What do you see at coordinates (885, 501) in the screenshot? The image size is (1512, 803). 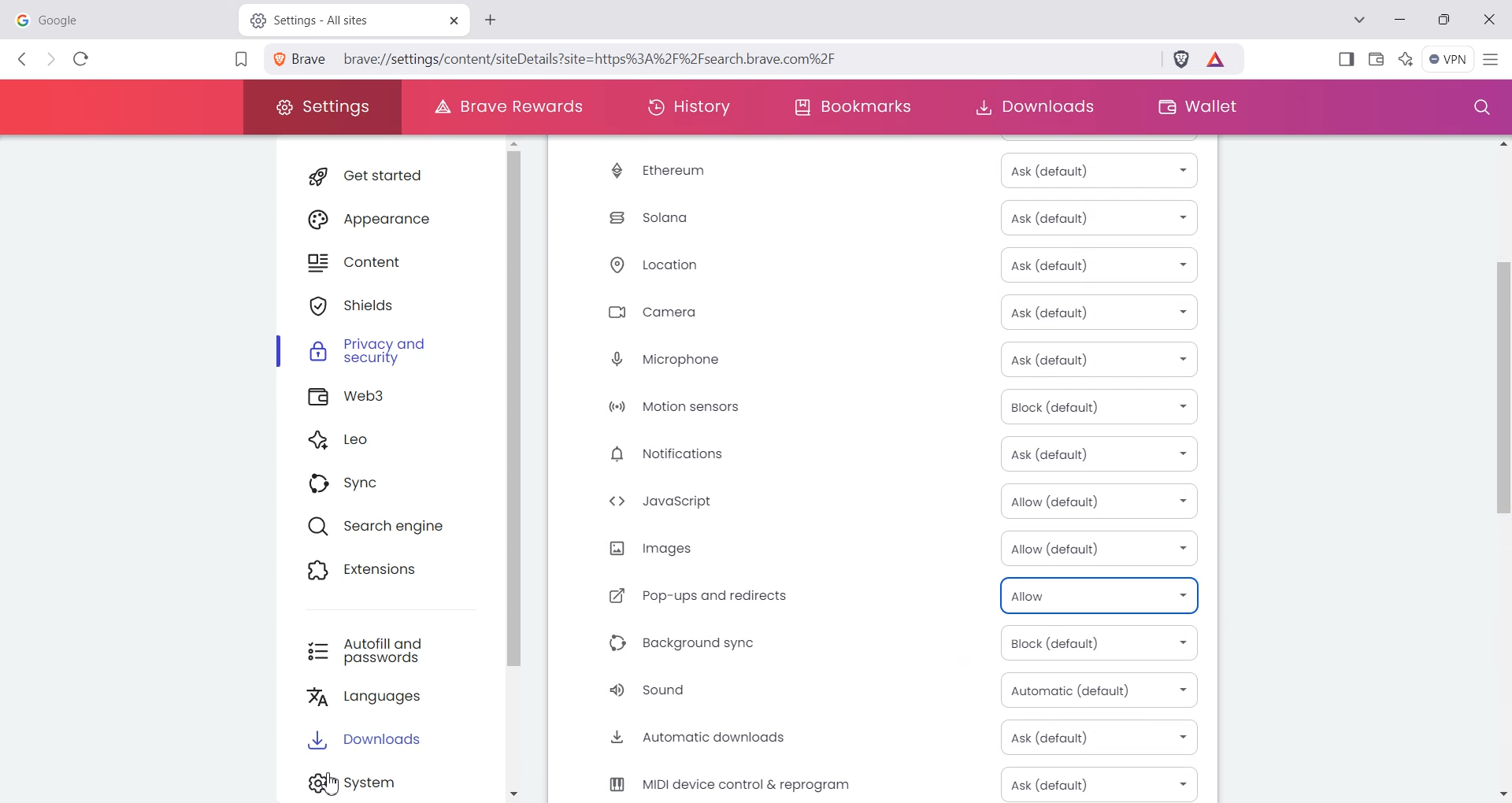 I see `JavaScript Allow (Default)` at bounding box center [885, 501].